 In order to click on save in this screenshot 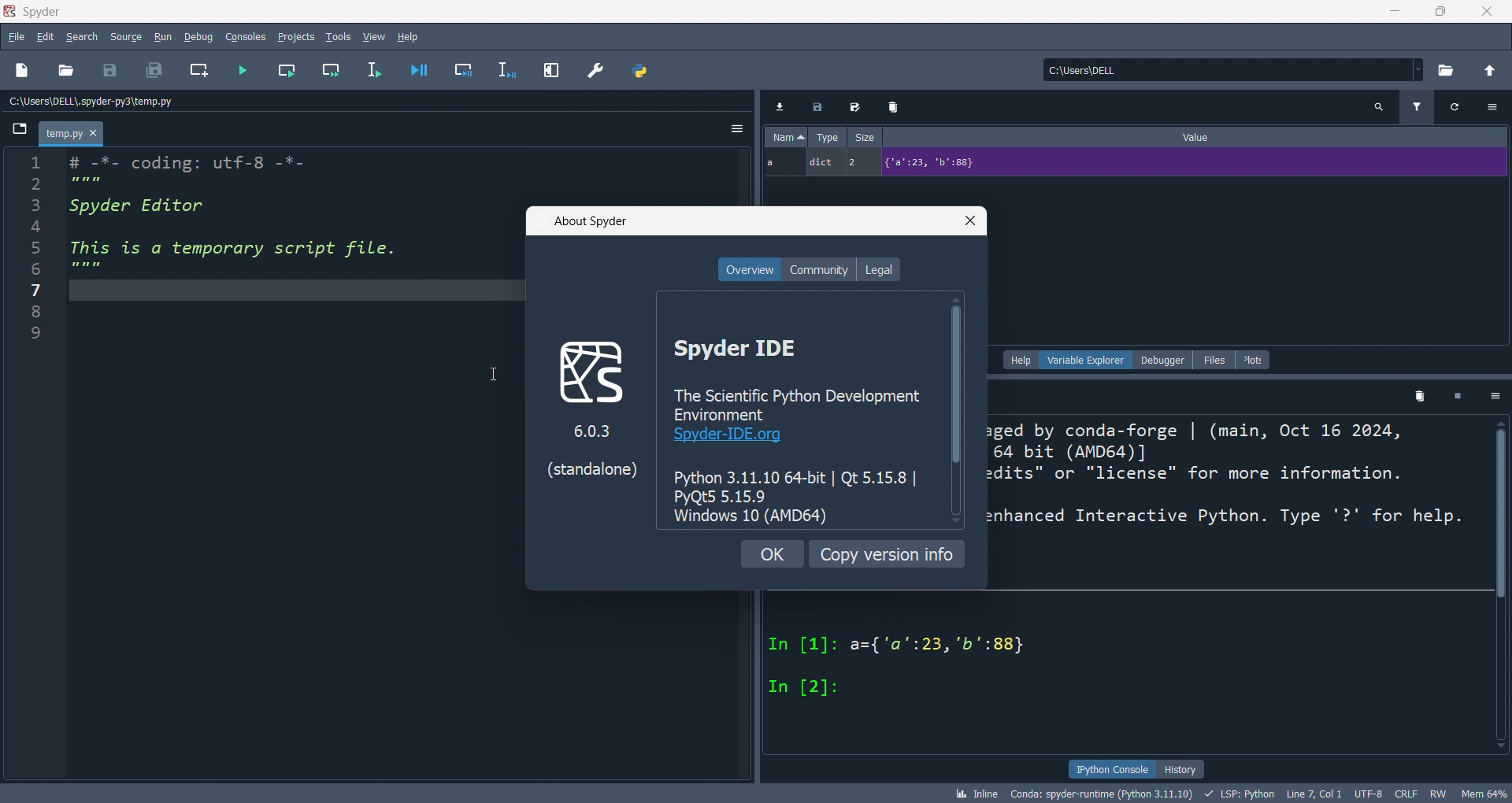, I will do `click(110, 72)`.